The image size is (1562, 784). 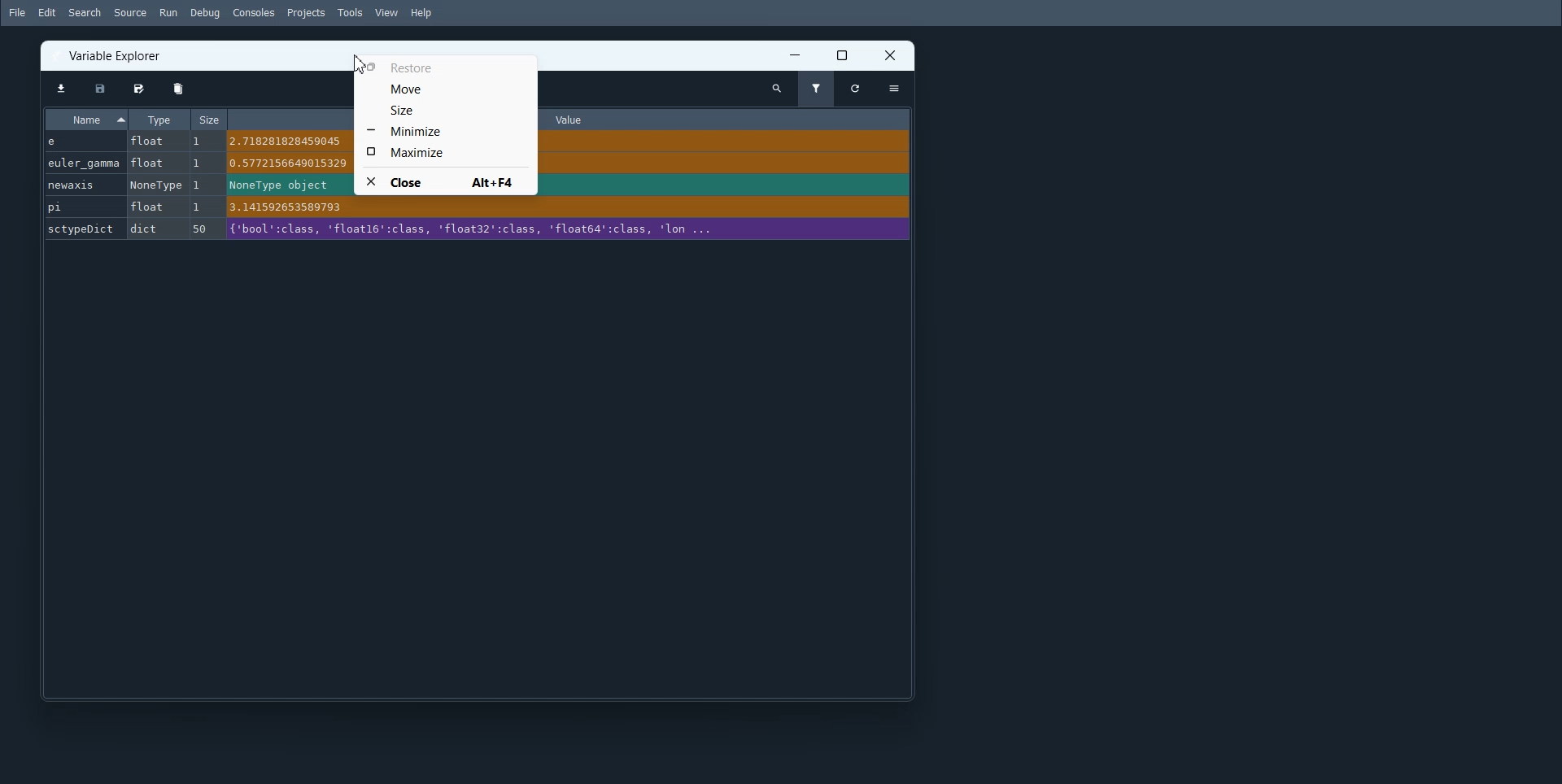 I want to click on Filter Variables, so click(x=818, y=89).